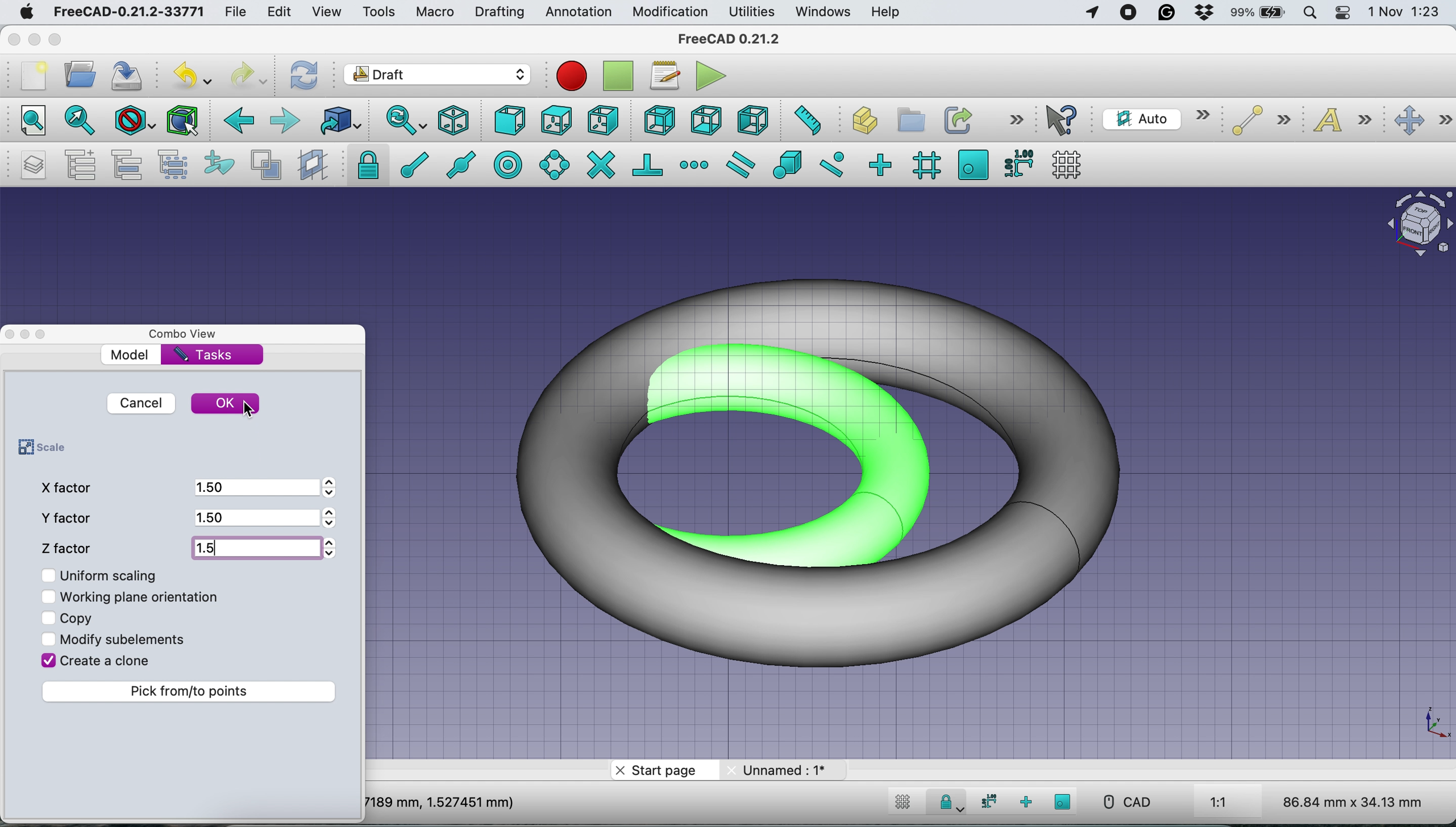  Describe the element at coordinates (1354, 801) in the screenshot. I see `86.84 mm x 34.13 mm` at that location.